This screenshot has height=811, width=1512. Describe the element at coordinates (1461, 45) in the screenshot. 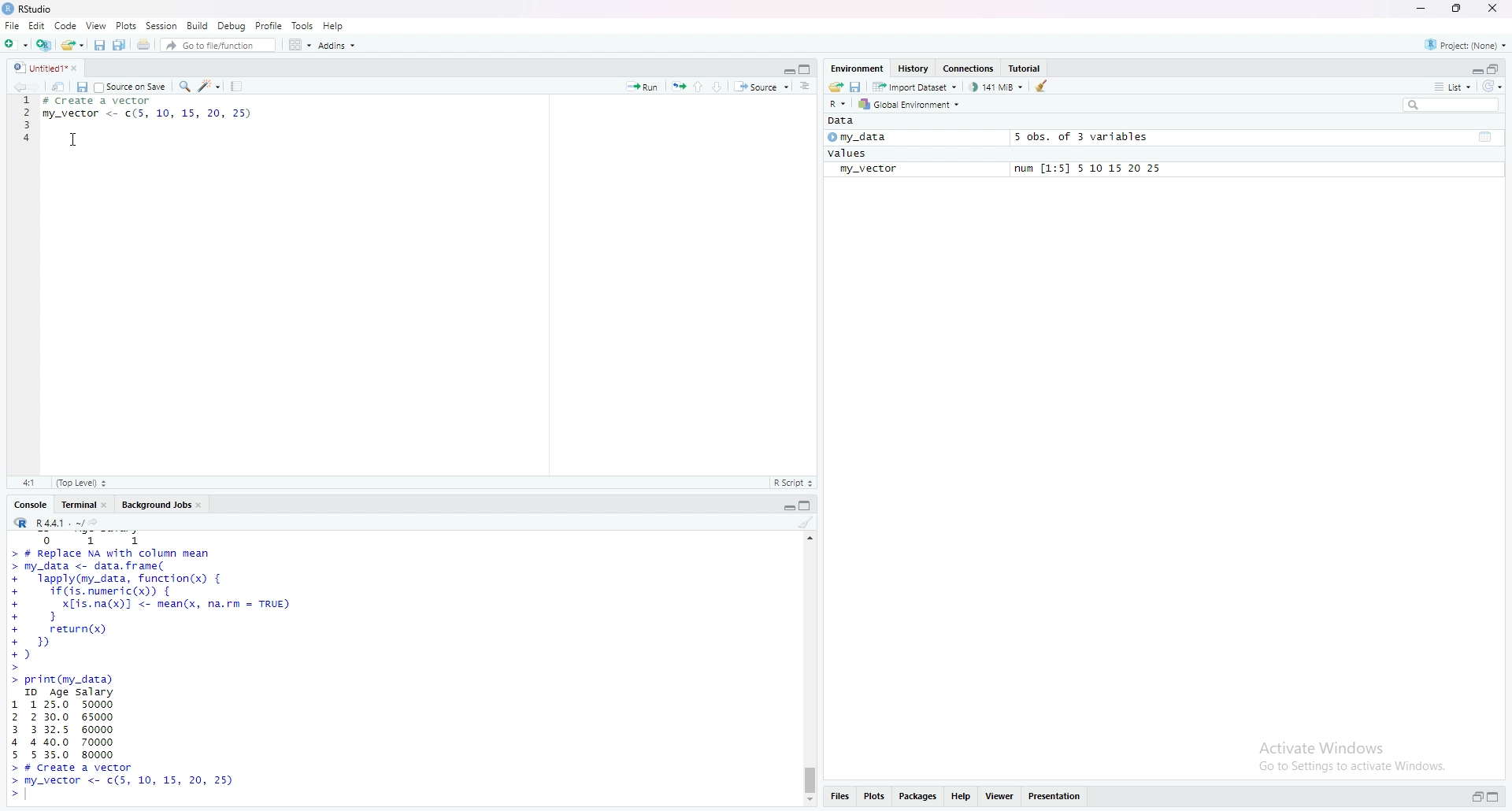

I see `project(none)` at that location.